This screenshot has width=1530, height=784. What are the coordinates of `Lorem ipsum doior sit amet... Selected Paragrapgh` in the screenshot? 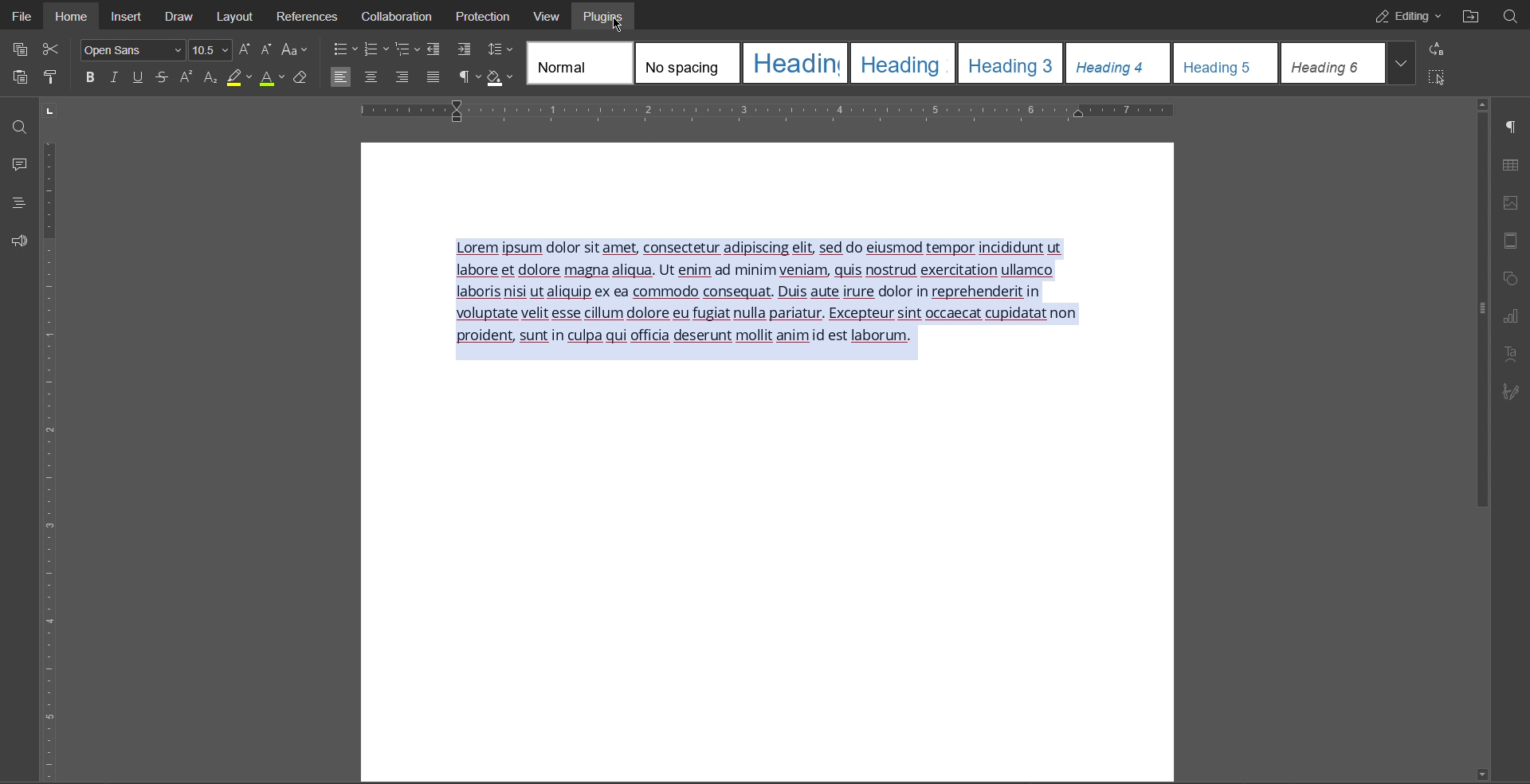 It's located at (775, 299).